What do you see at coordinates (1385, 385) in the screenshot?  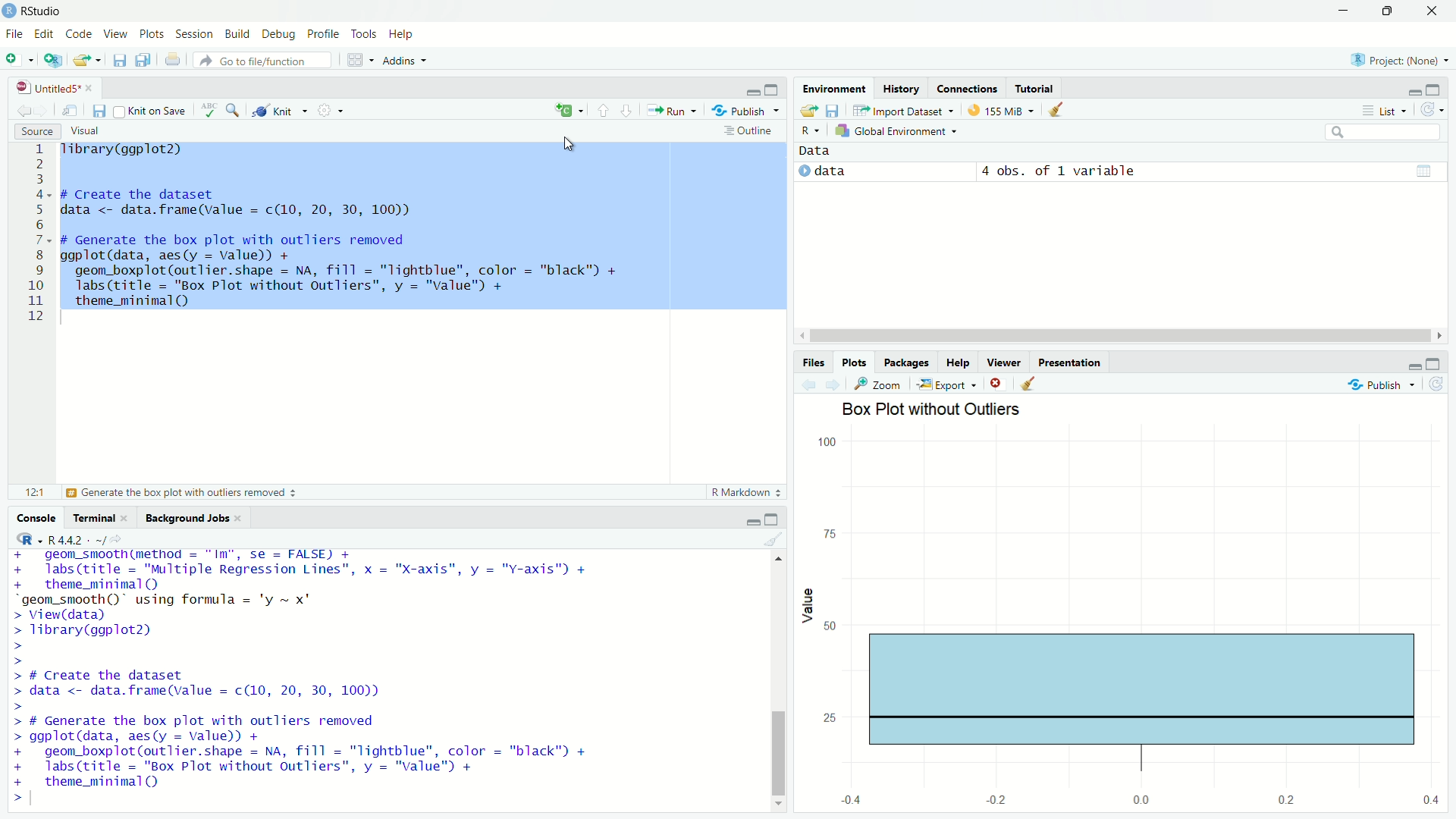 I see `Publish ~` at bounding box center [1385, 385].